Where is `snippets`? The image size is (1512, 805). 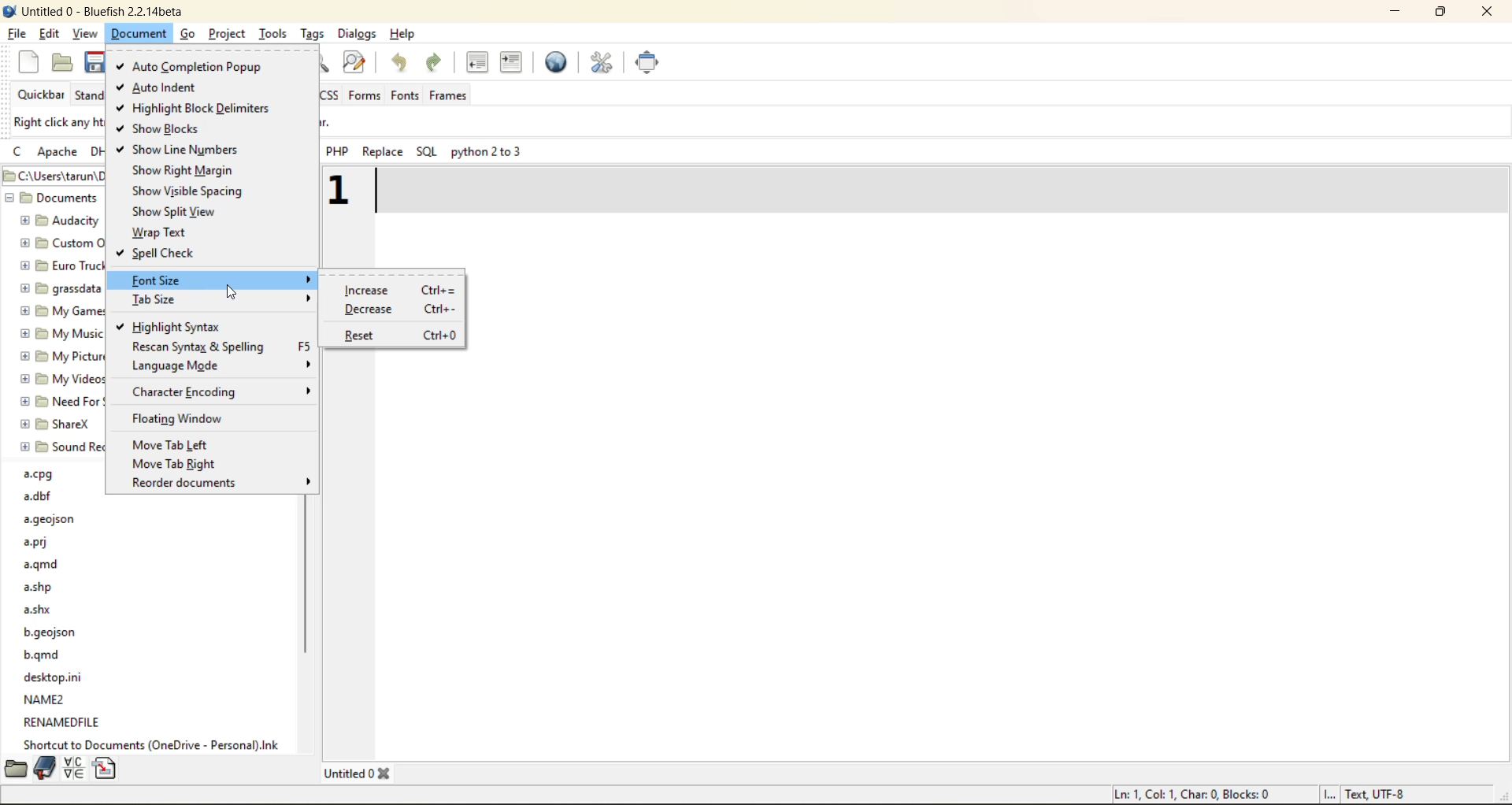
snippets is located at coordinates (106, 768).